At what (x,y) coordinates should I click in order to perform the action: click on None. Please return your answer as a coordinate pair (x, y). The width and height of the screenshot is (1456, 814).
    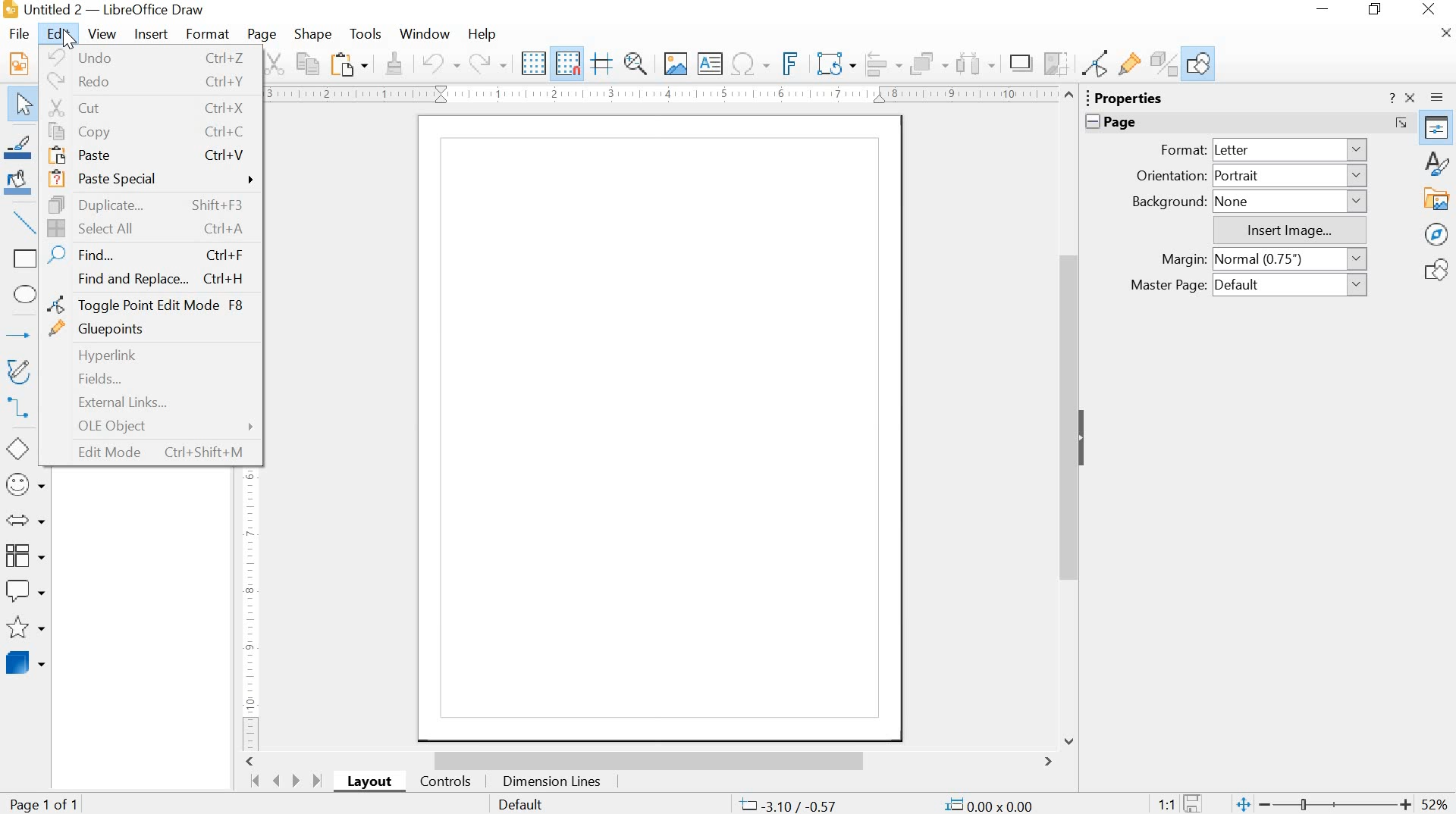
    Looking at the image, I should click on (1291, 201).